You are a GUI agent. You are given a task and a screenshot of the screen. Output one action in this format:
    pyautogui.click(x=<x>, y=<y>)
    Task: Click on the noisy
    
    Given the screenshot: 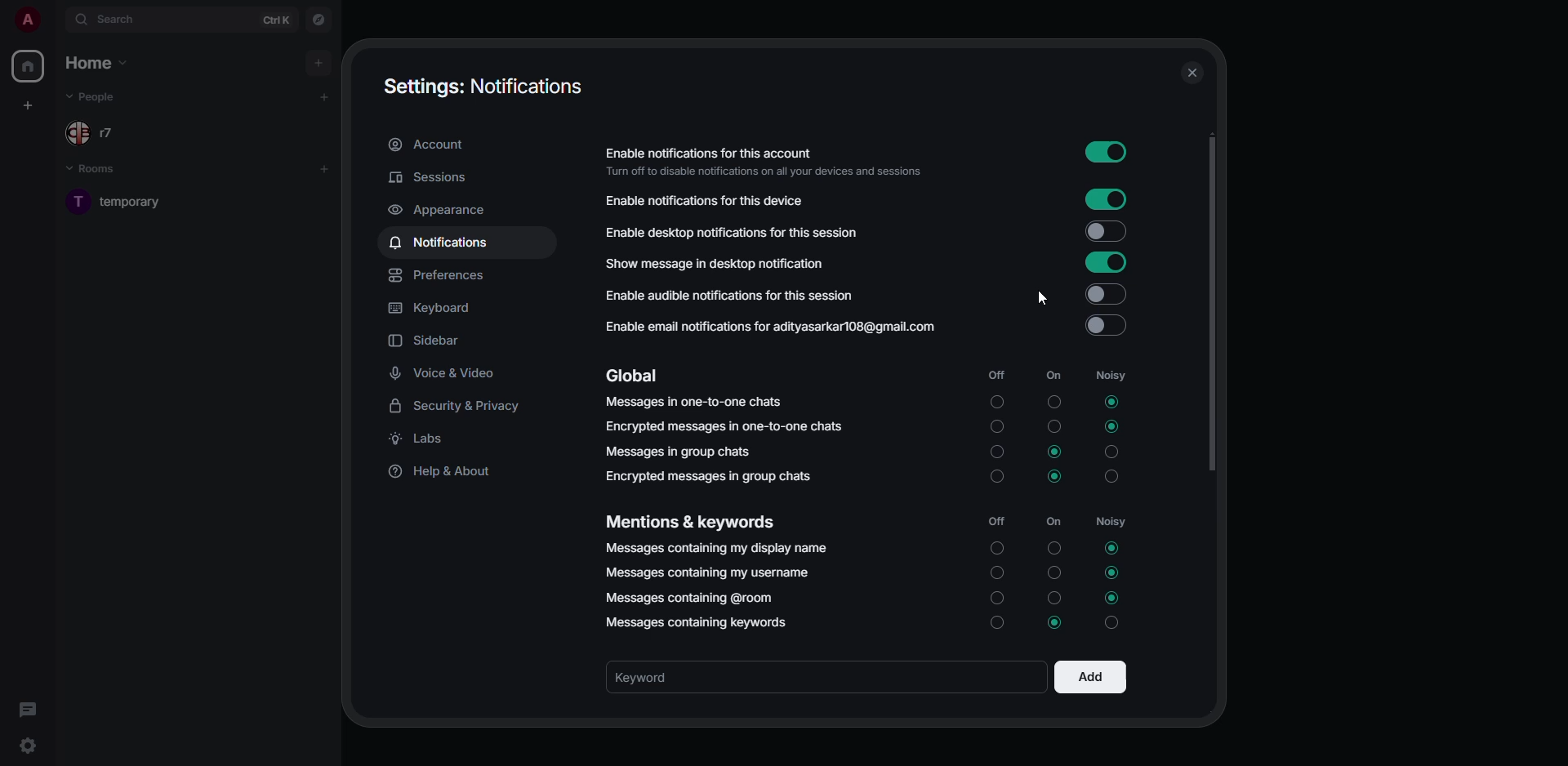 What is the action you would take?
    pyautogui.click(x=1114, y=375)
    